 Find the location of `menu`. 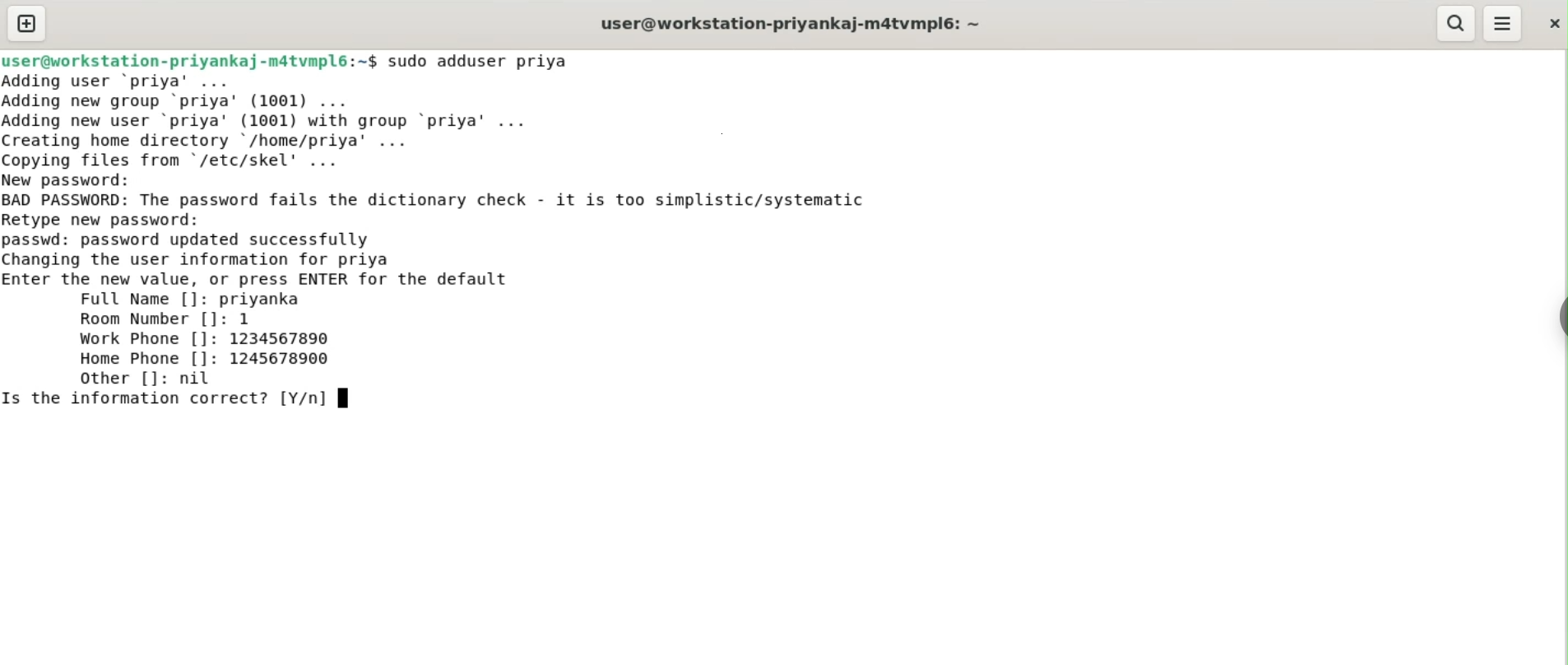

menu is located at coordinates (1504, 24).